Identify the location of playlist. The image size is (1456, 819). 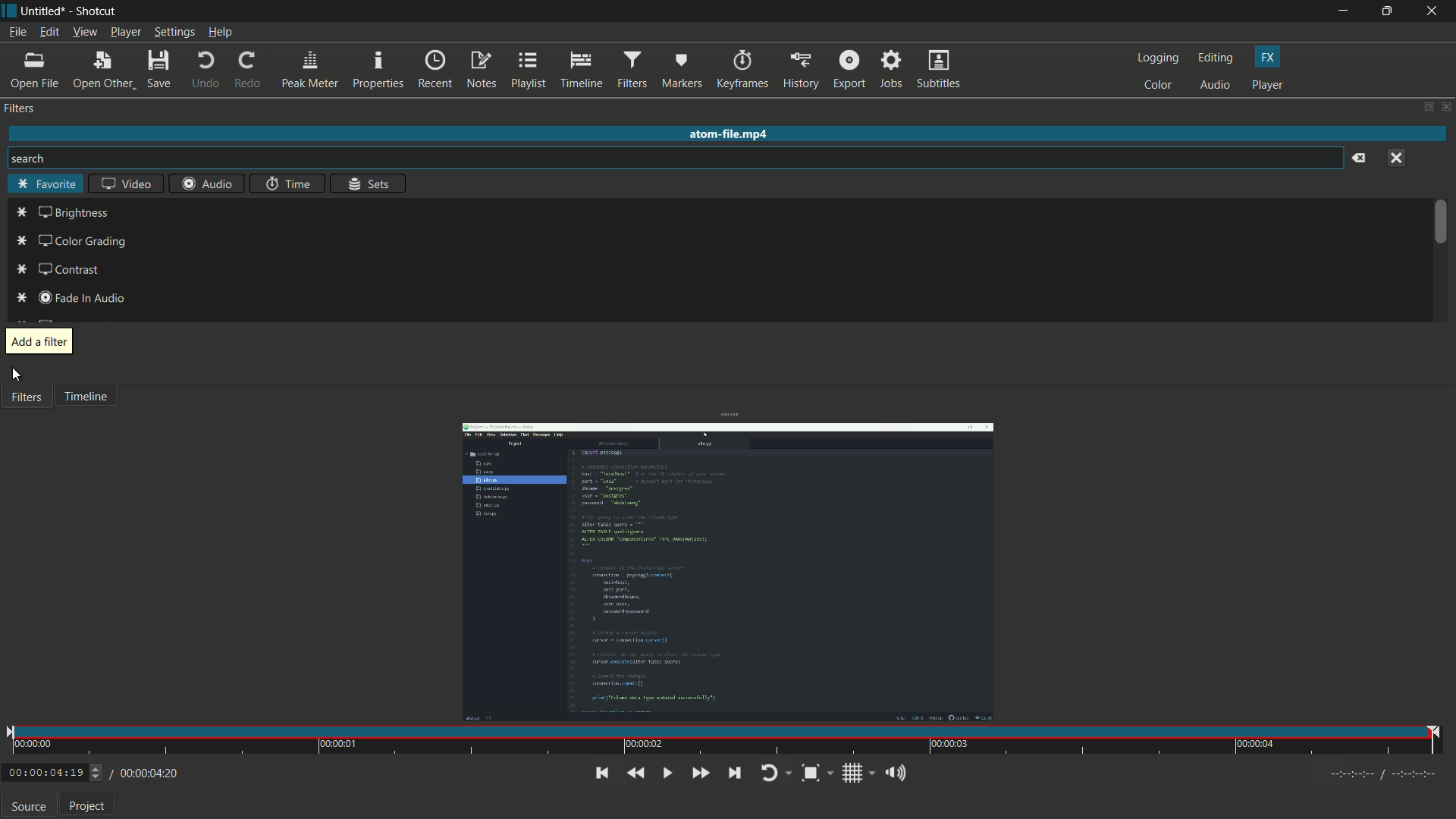
(527, 69).